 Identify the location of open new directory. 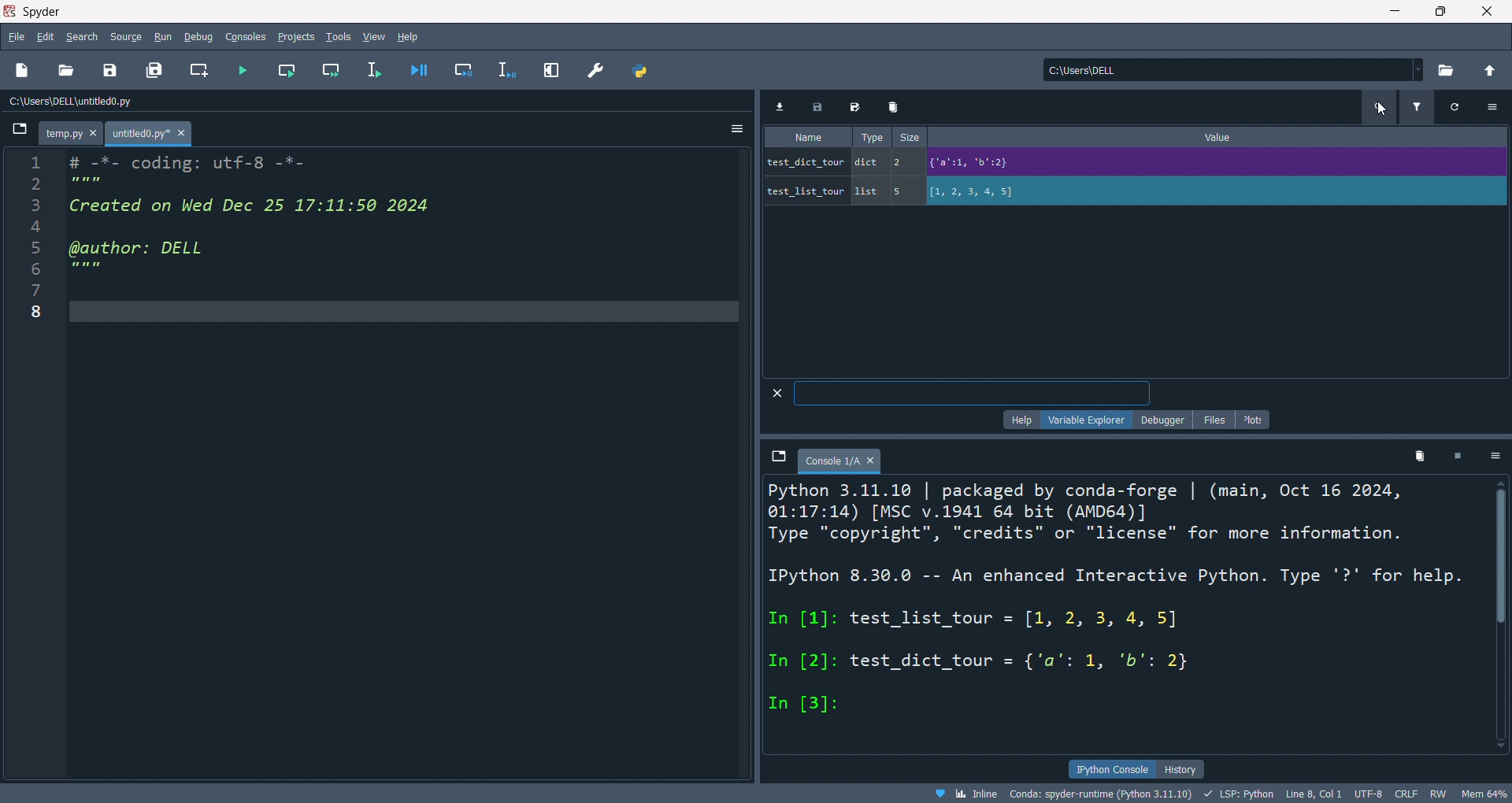
(1438, 69).